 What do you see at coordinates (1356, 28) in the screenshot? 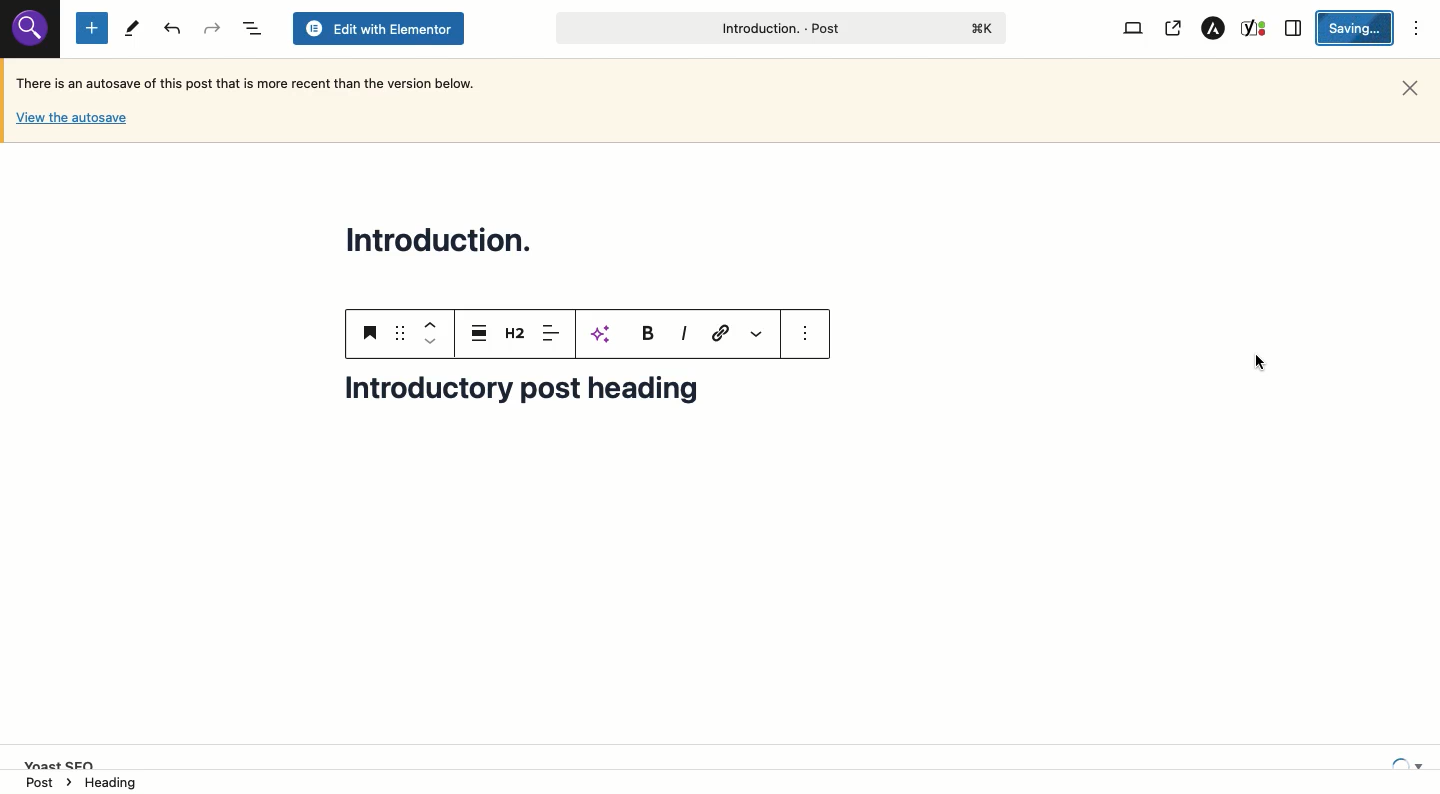
I see `Saving` at bounding box center [1356, 28].